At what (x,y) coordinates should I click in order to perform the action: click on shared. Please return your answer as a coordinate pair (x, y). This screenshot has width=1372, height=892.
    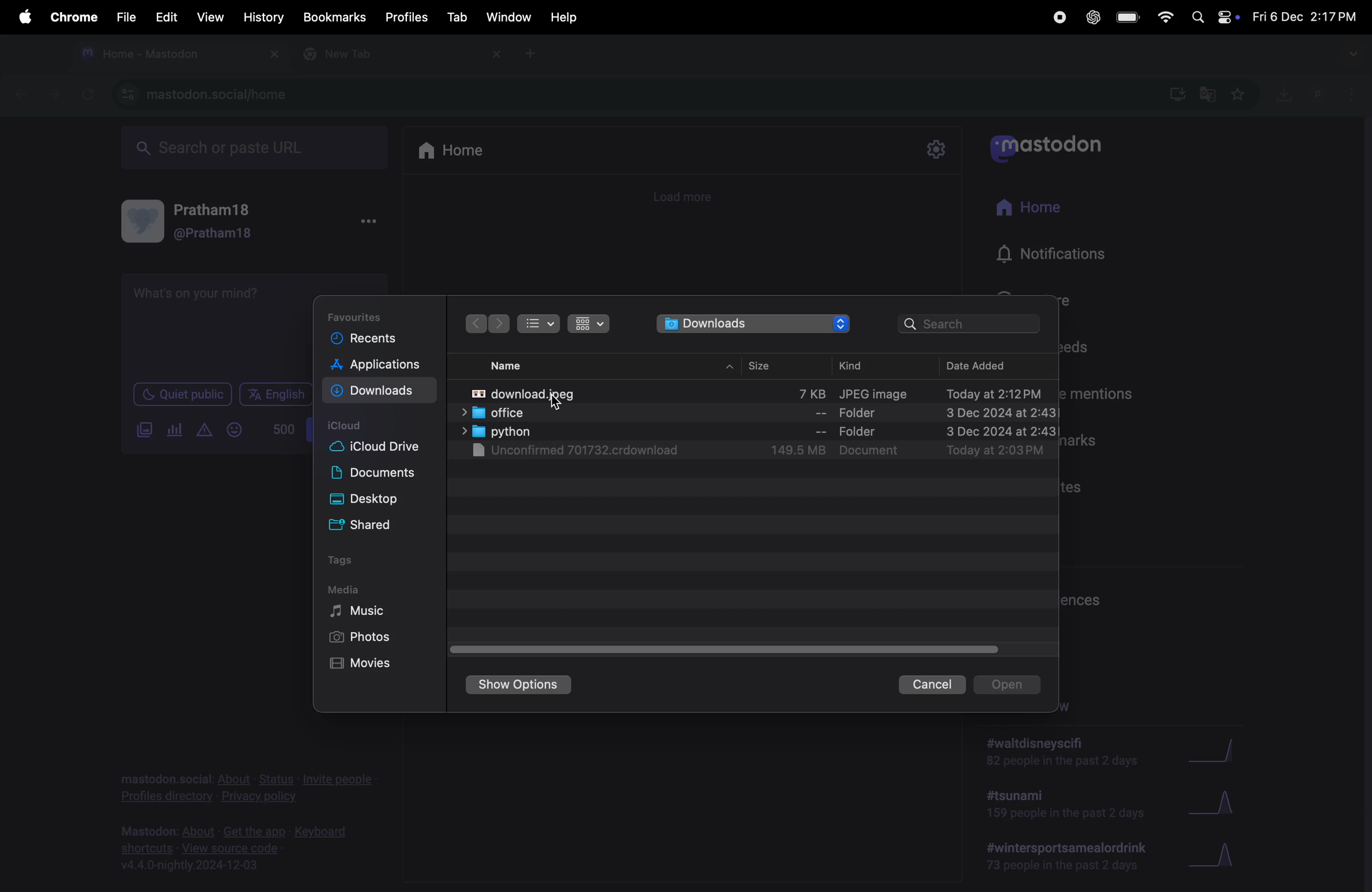
    Looking at the image, I should click on (365, 526).